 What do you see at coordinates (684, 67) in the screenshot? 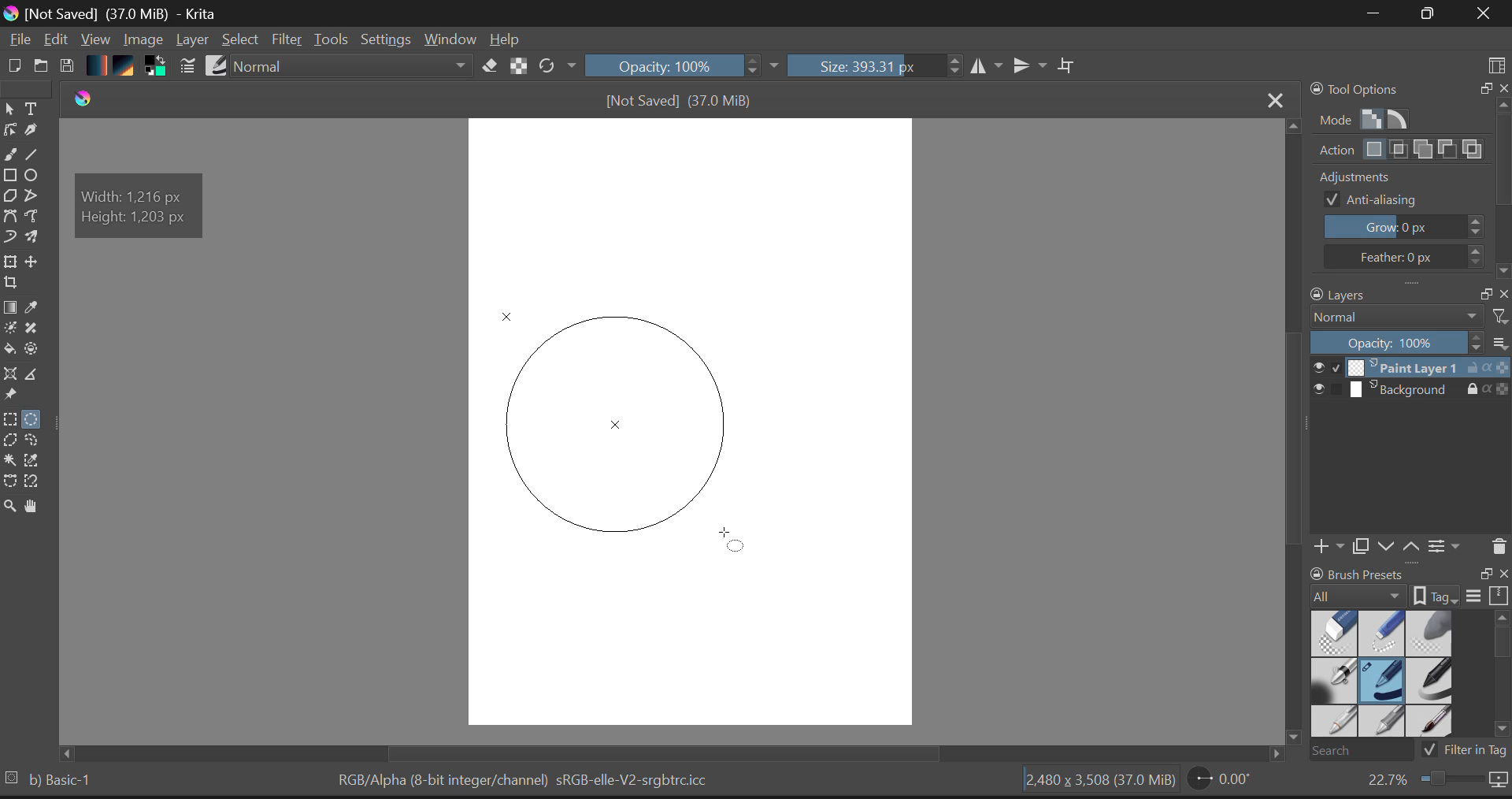
I see `Opacity` at bounding box center [684, 67].